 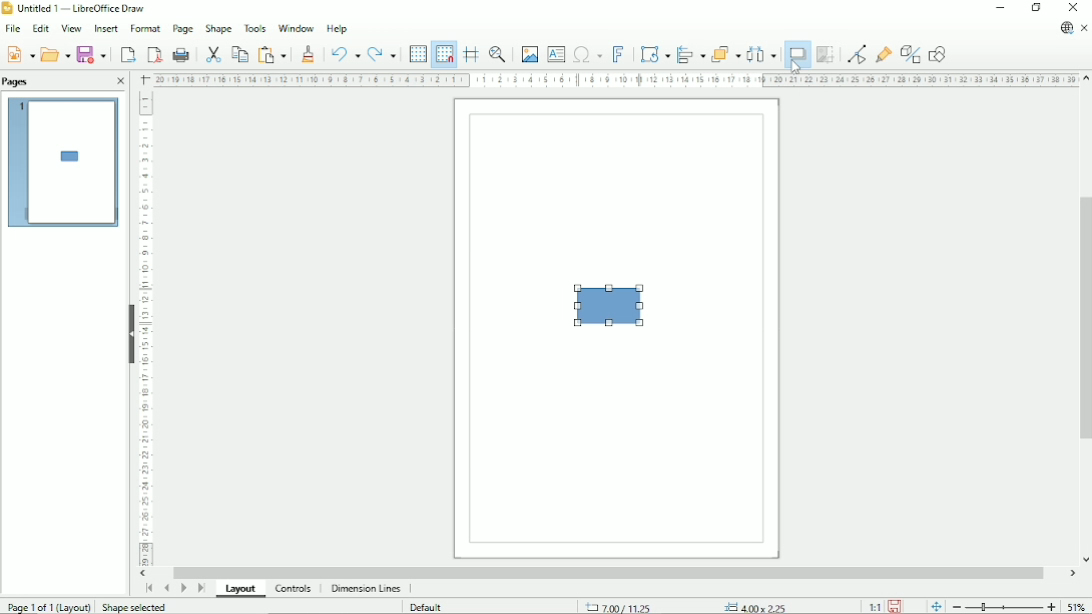 What do you see at coordinates (653, 54) in the screenshot?
I see `Transformations` at bounding box center [653, 54].